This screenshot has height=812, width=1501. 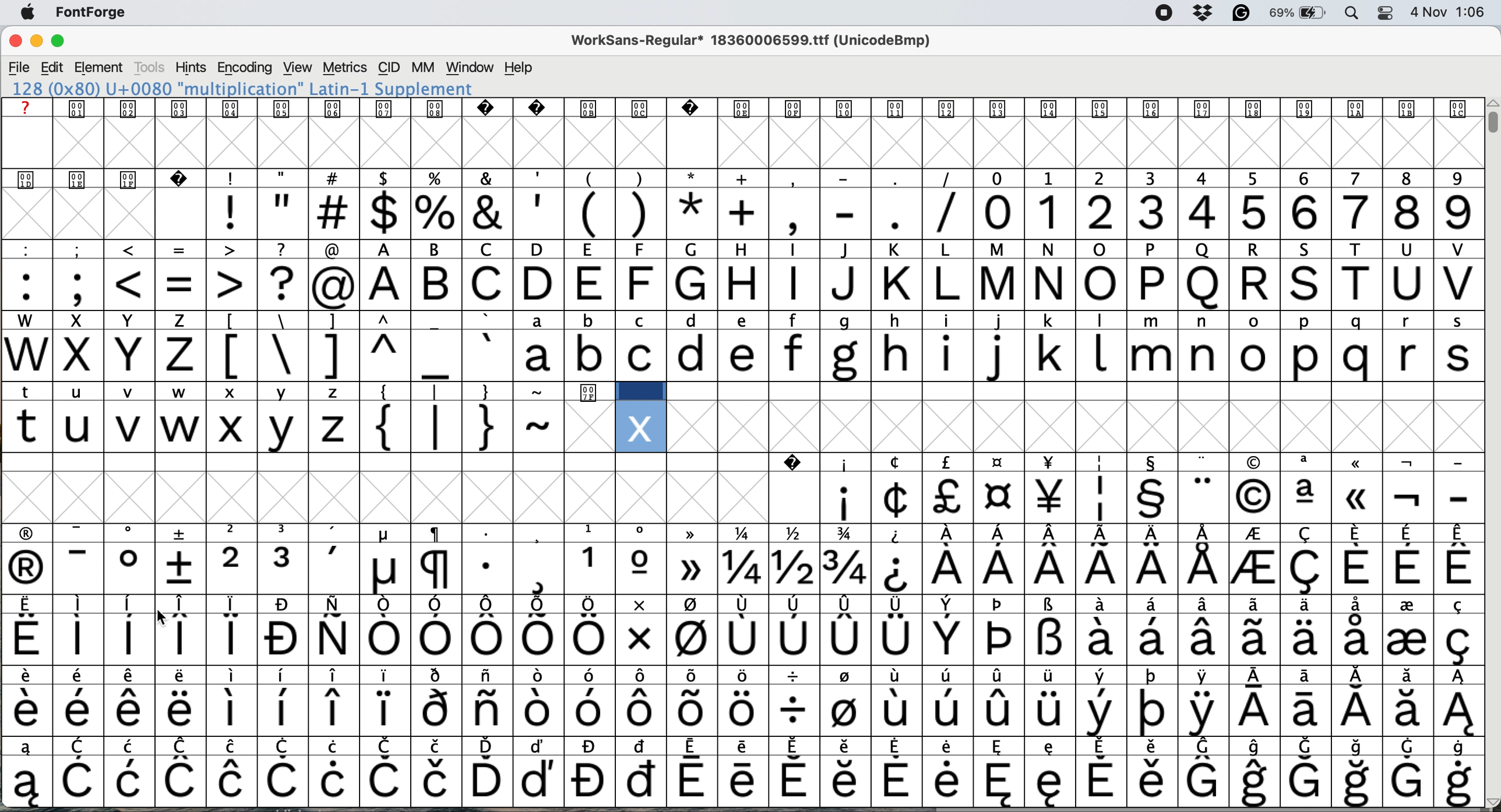 What do you see at coordinates (154, 616) in the screenshot?
I see `cursor` at bounding box center [154, 616].